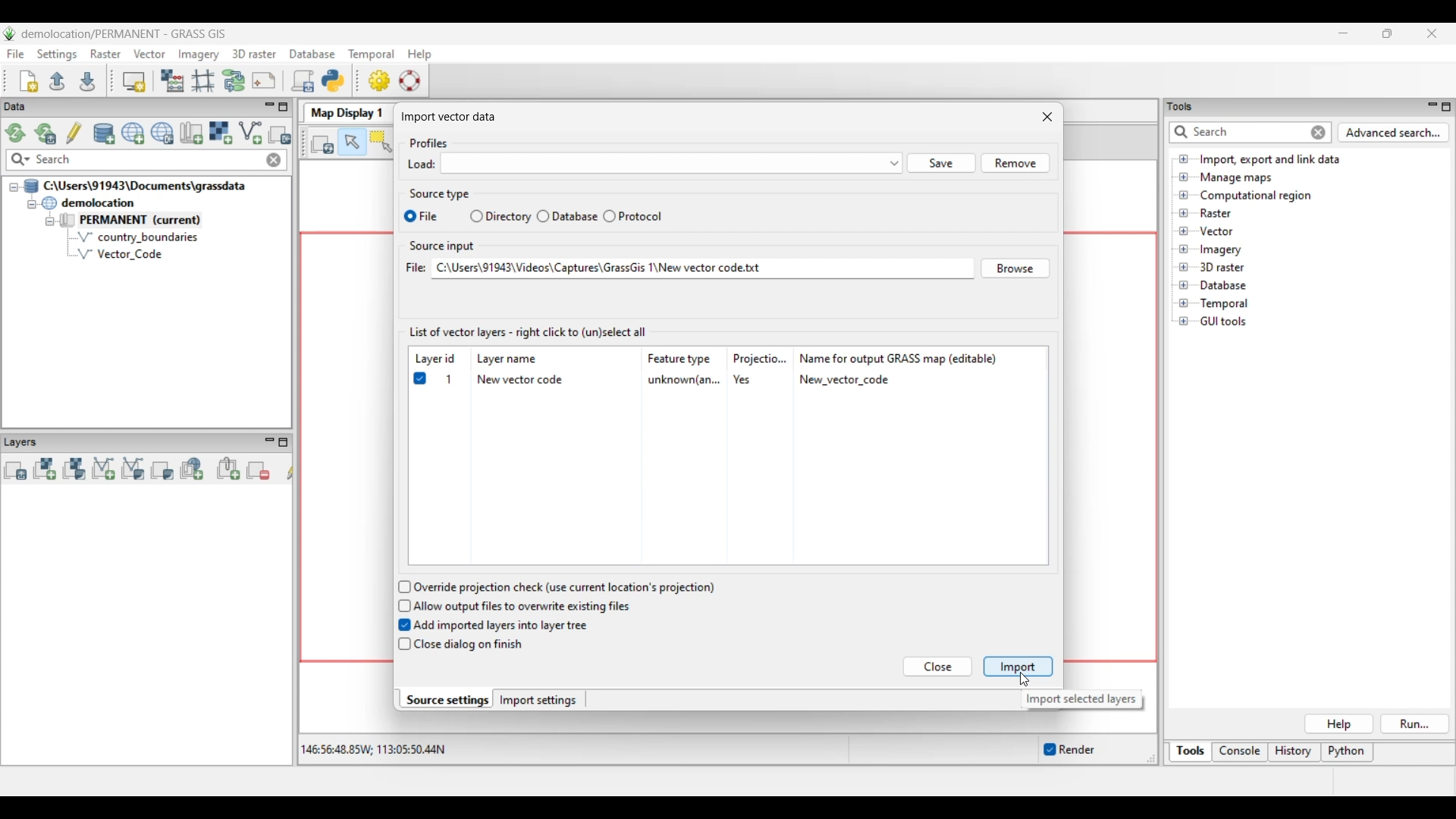  Describe the element at coordinates (1256, 196) in the screenshot. I see `Double click to see files under Computational region` at that location.